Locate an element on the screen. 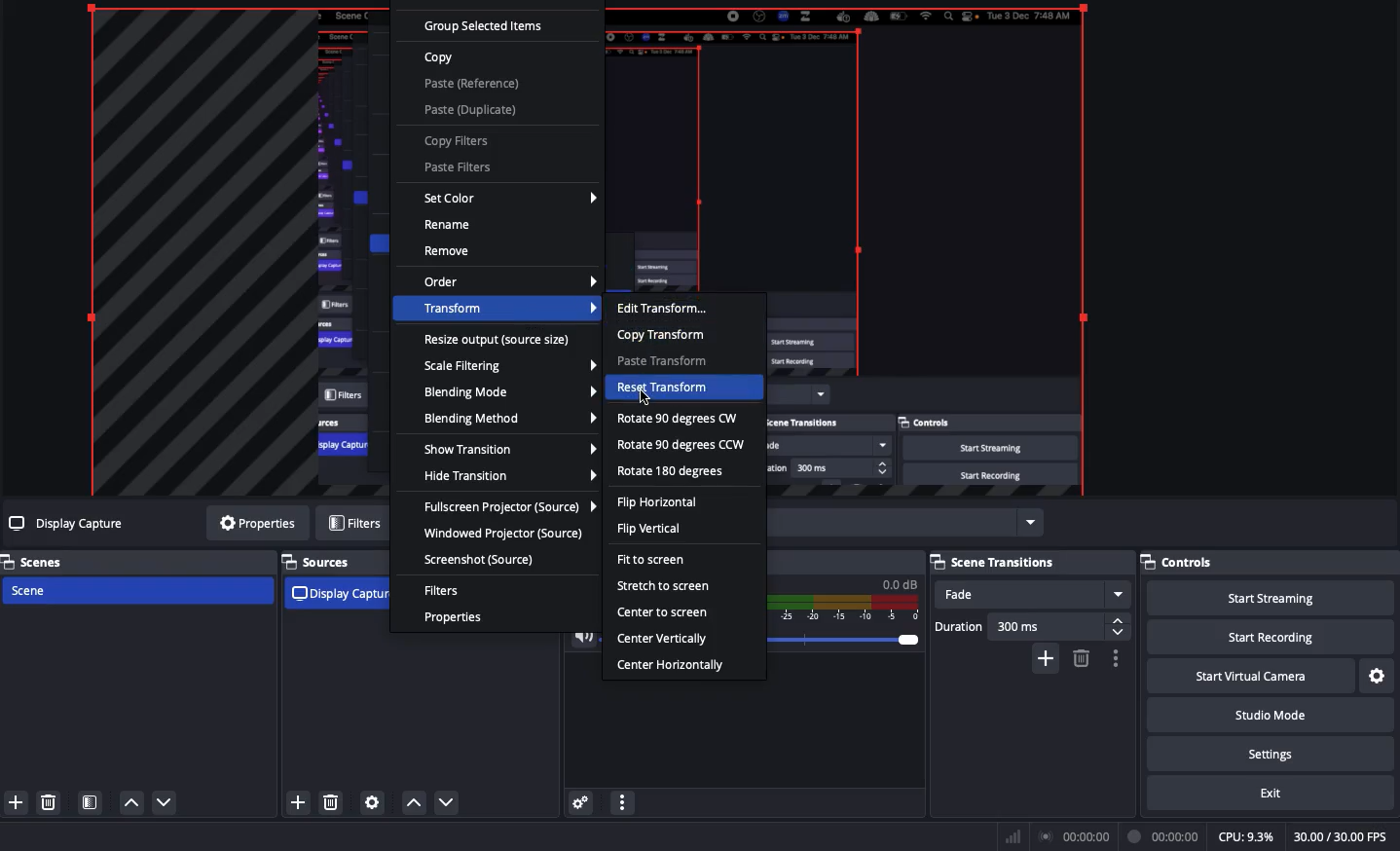 The height and width of the screenshot is (851, 1400). Paste is located at coordinates (476, 85).